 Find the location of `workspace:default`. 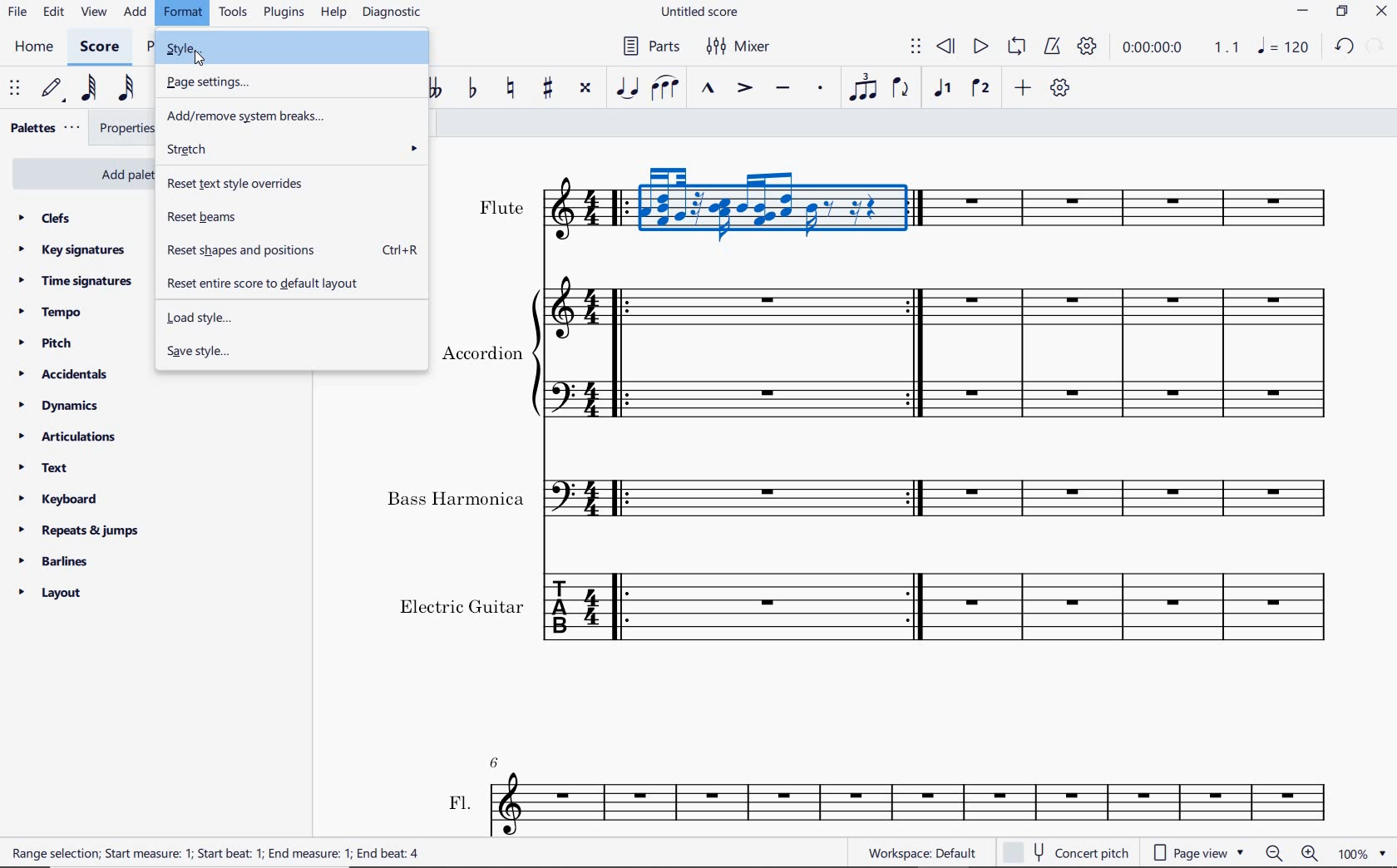

workspace:default is located at coordinates (920, 851).